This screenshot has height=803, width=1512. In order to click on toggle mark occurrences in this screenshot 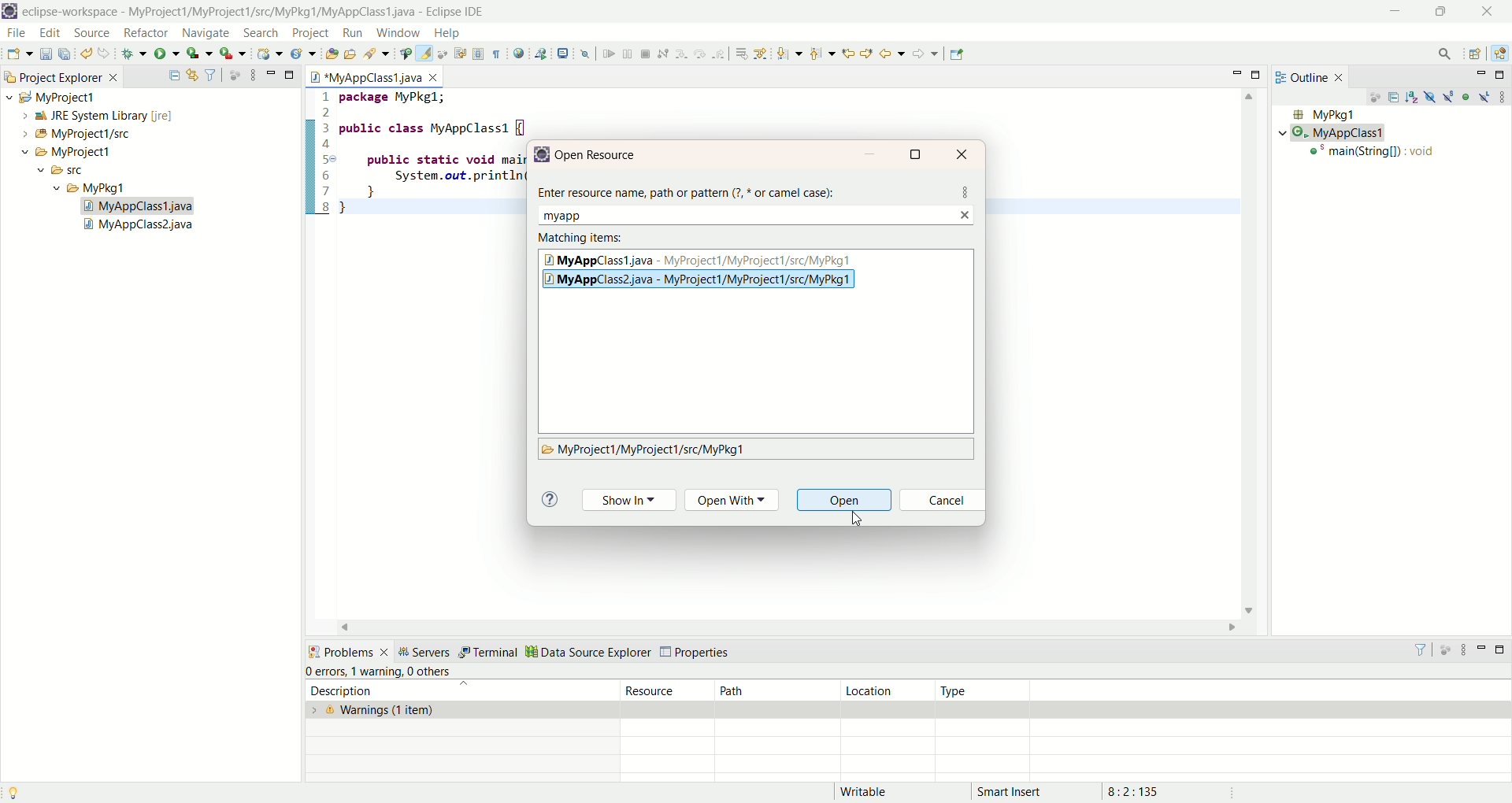, I will do `click(426, 54)`.